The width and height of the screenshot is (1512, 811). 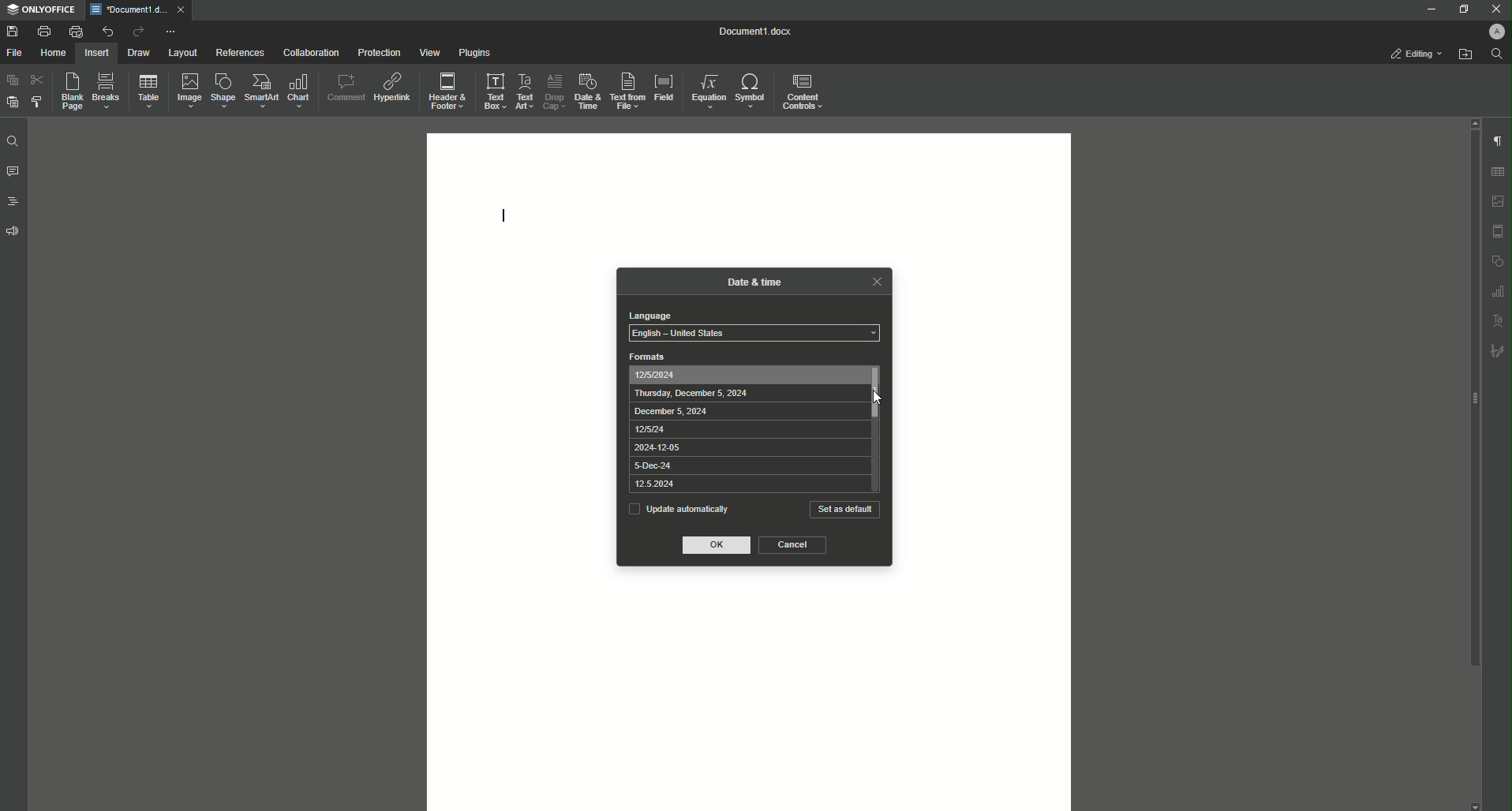 I want to click on Home, so click(x=54, y=53).